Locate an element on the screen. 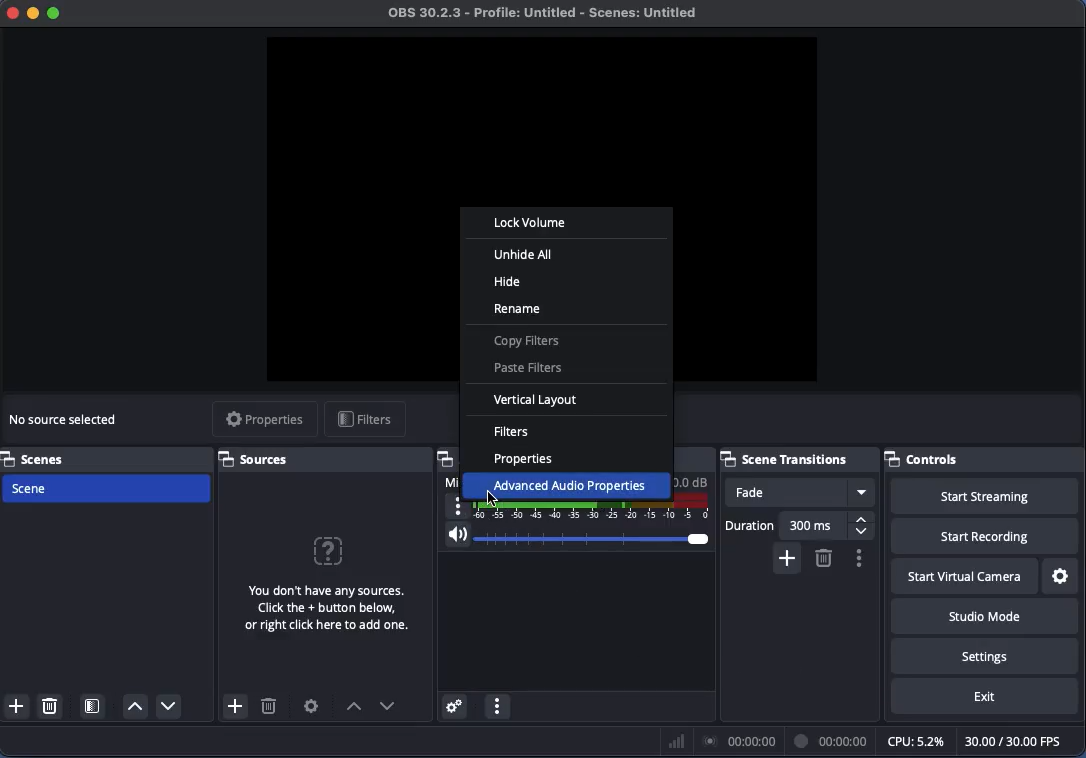 The height and width of the screenshot is (758, 1086). Sources is located at coordinates (259, 459).